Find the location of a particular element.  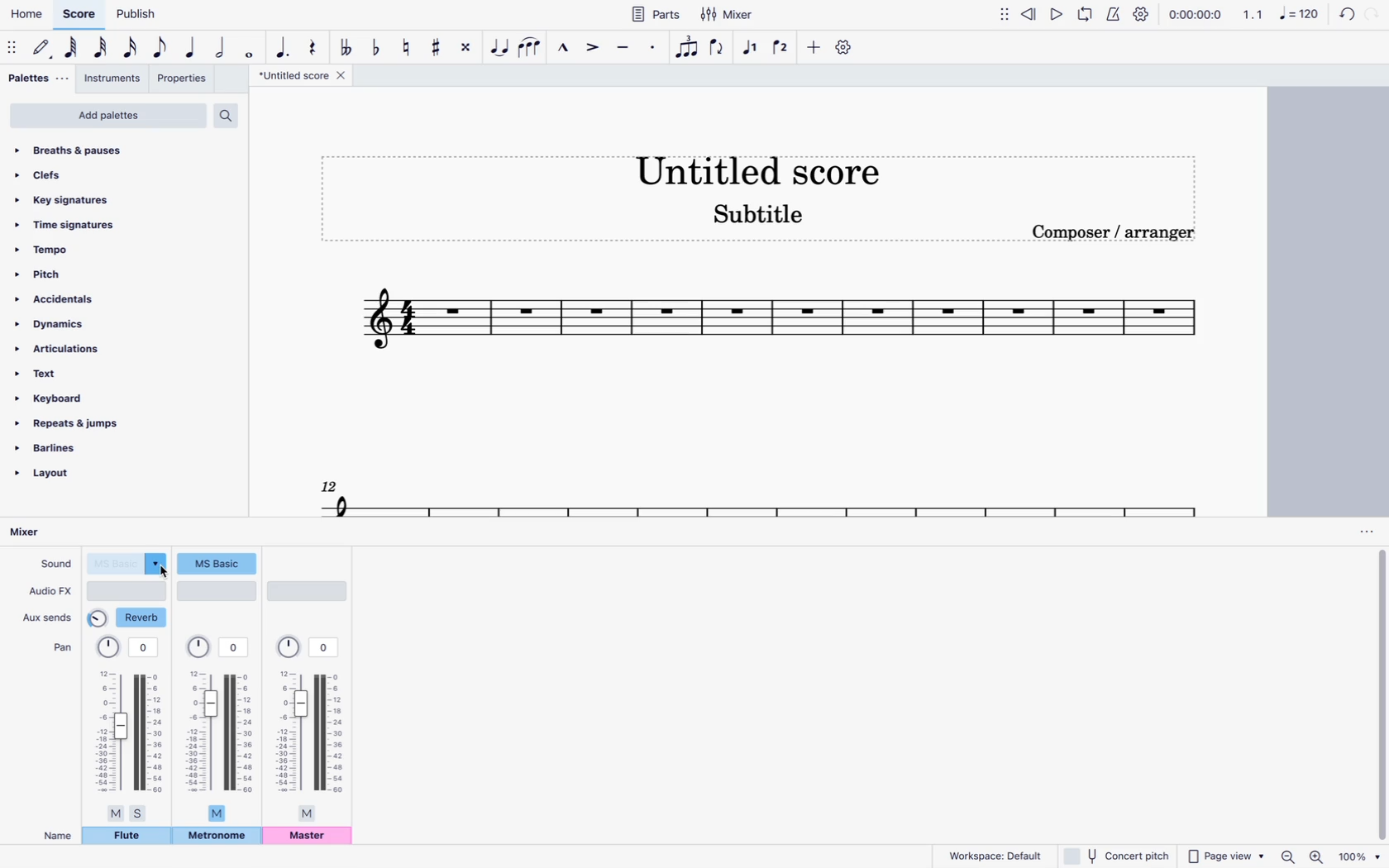

mixer is located at coordinates (39, 533).